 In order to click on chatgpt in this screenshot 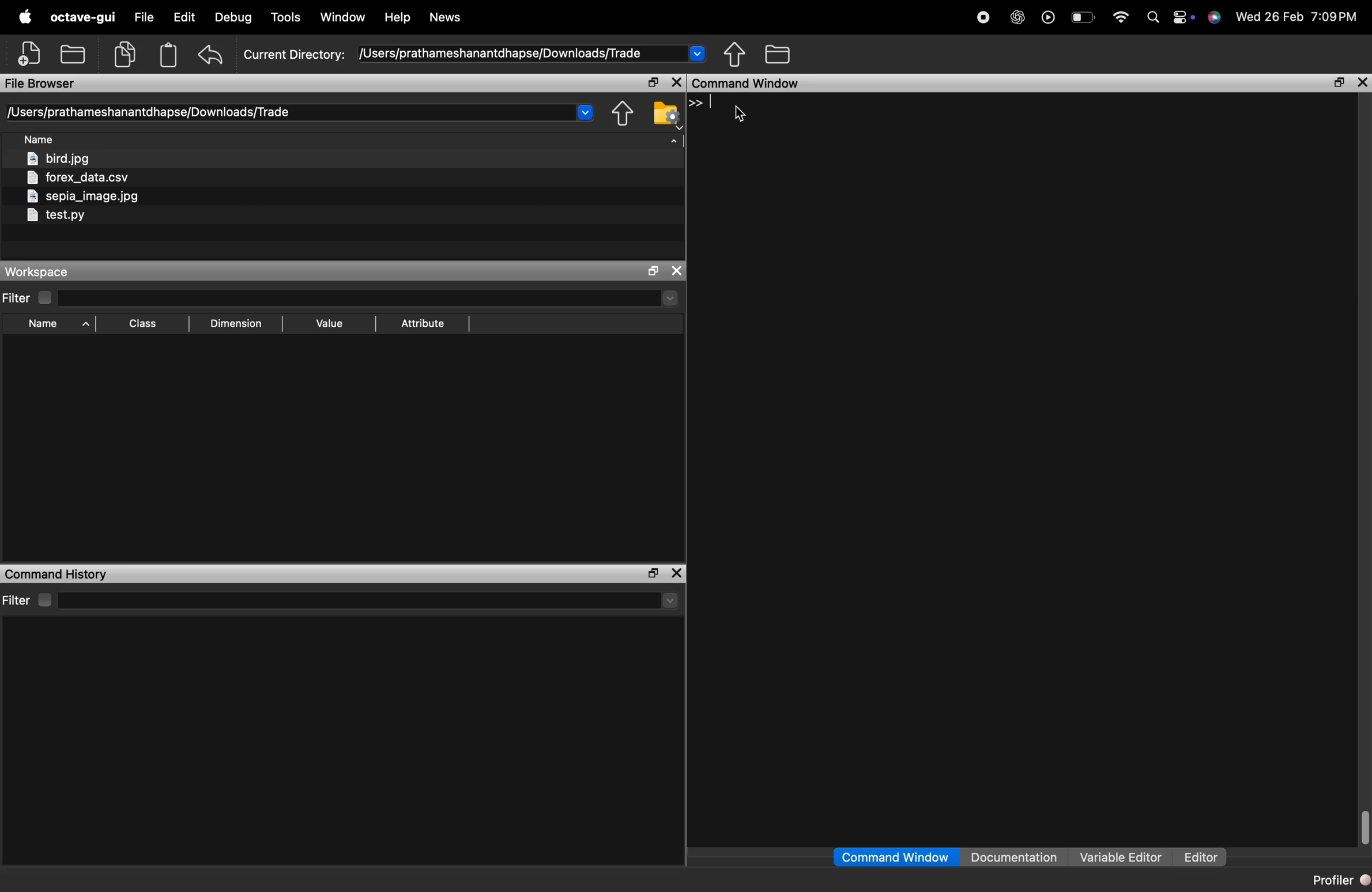, I will do `click(1017, 18)`.